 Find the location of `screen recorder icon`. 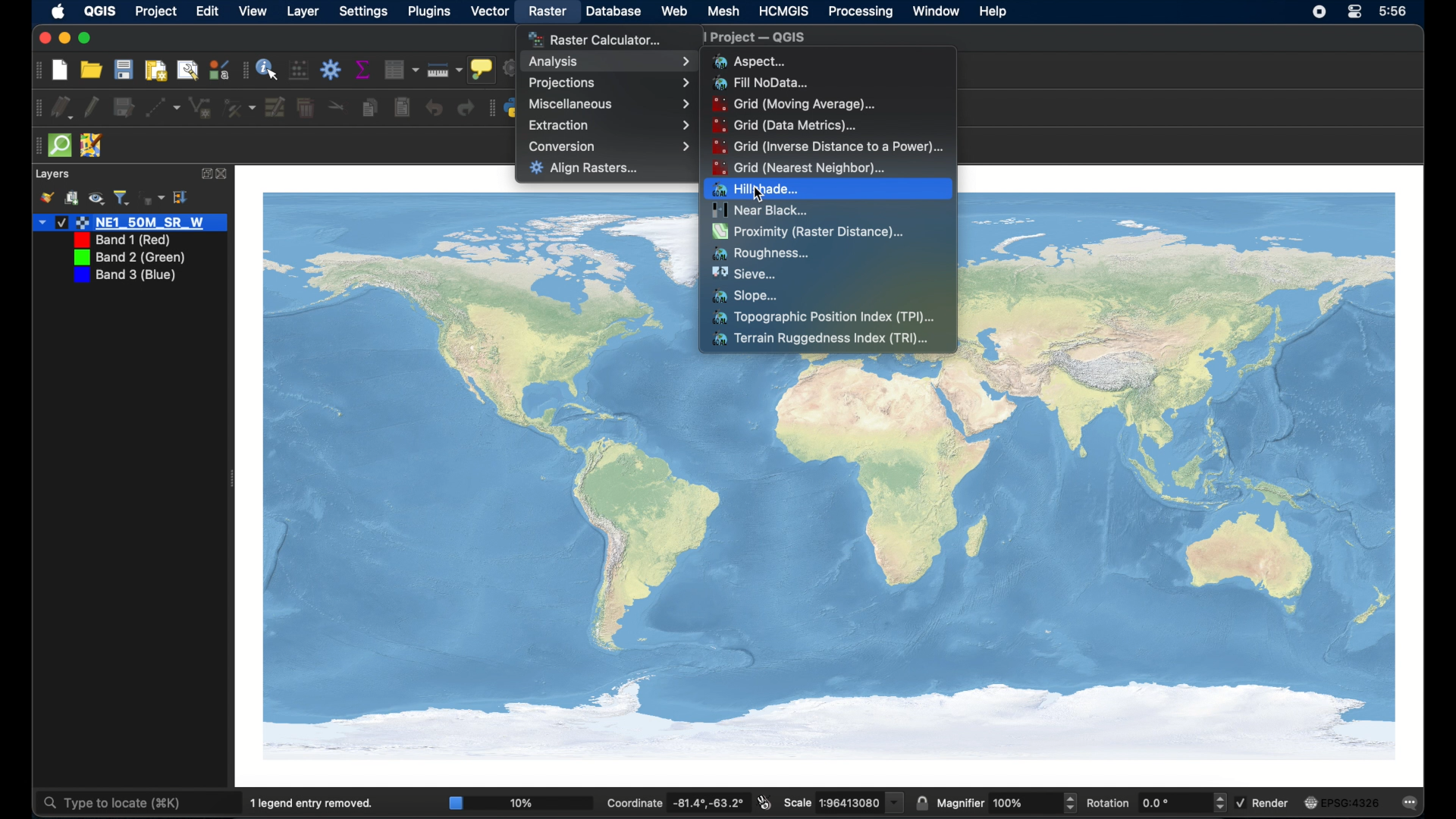

screen recorder icon is located at coordinates (1319, 13).